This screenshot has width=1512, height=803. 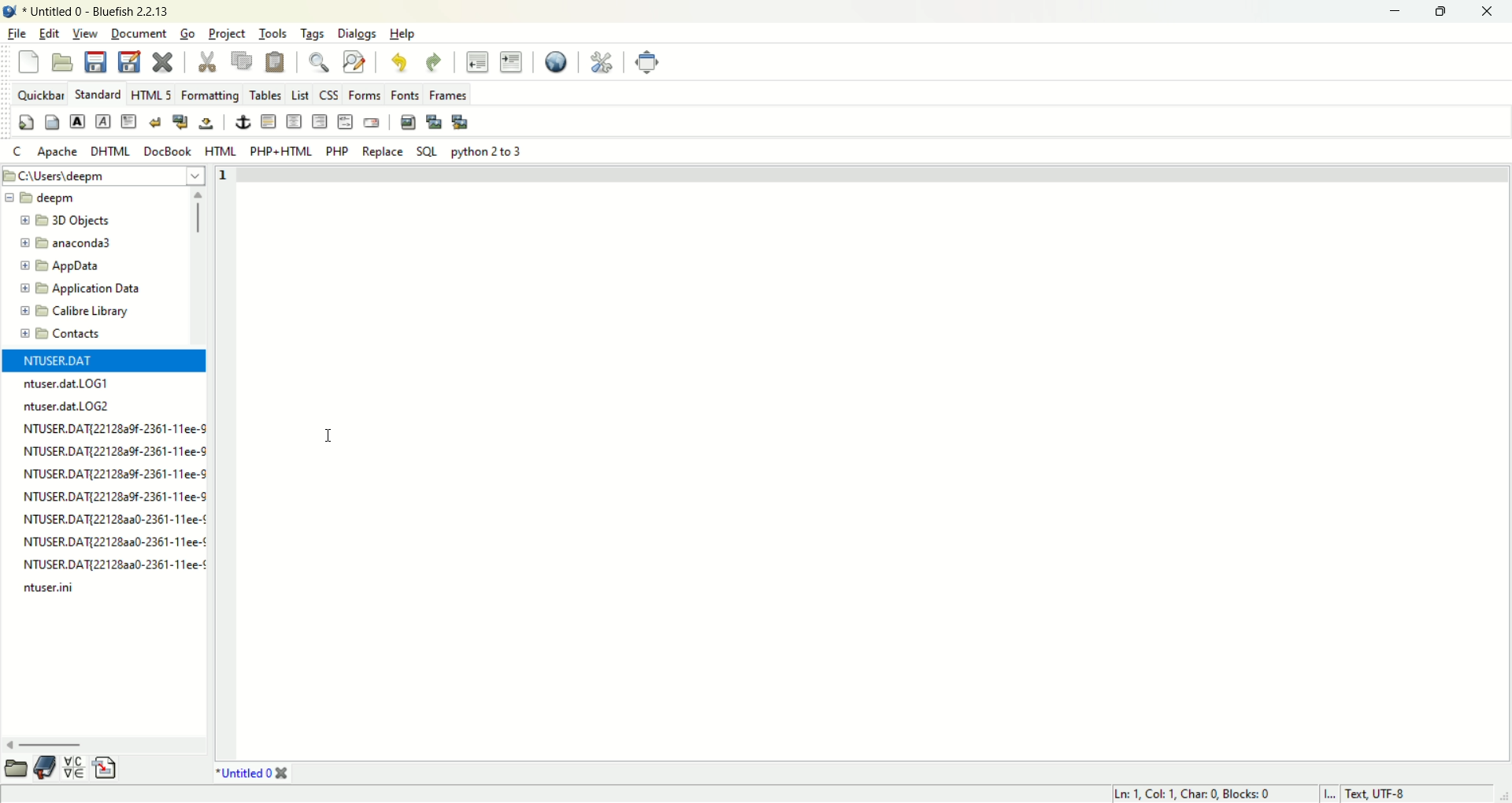 What do you see at coordinates (403, 94) in the screenshot?
I see `Fonts` at bounding box center [403, 94].